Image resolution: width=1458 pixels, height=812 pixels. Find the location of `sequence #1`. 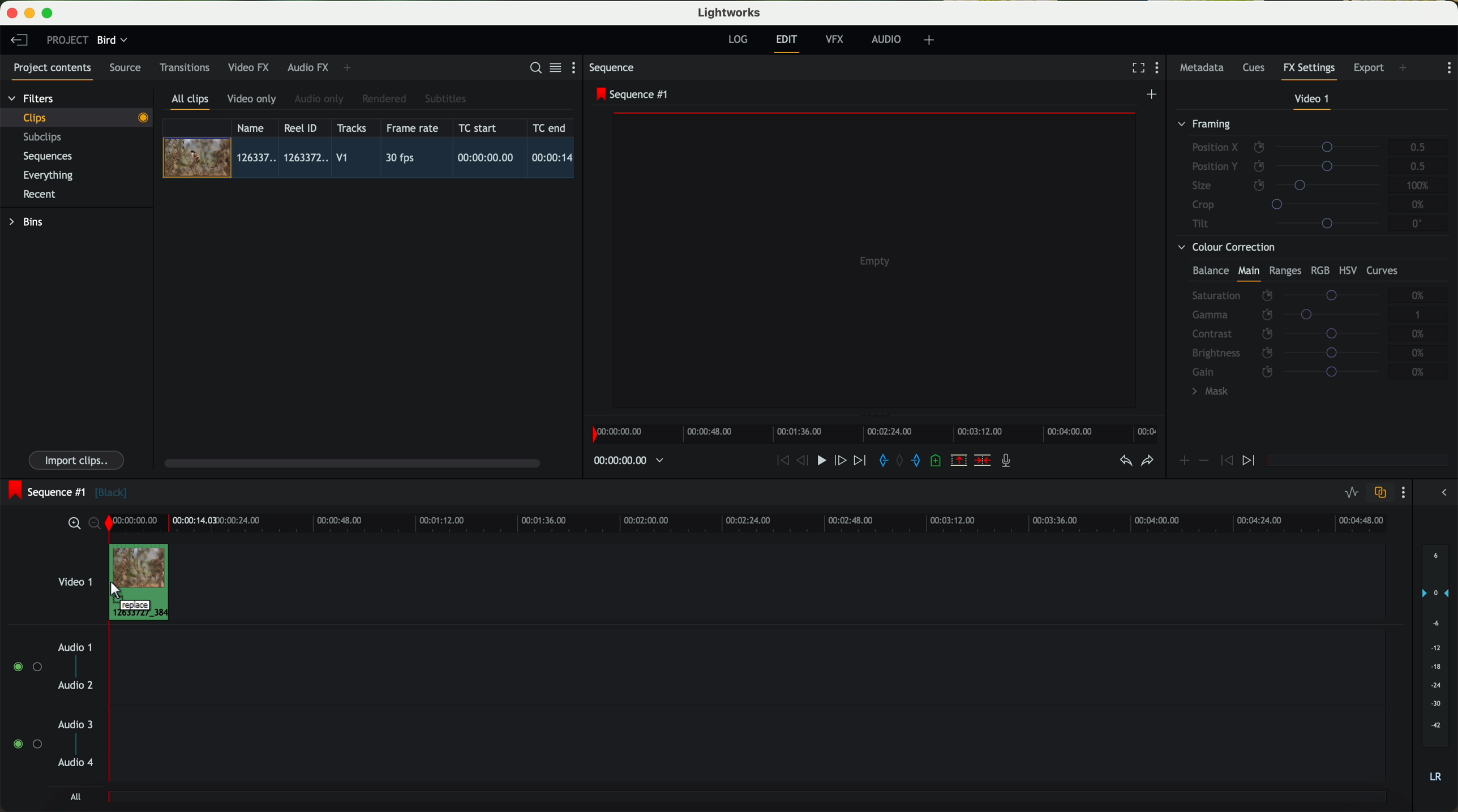

sequence #1 is located at coordinates (633, 94).